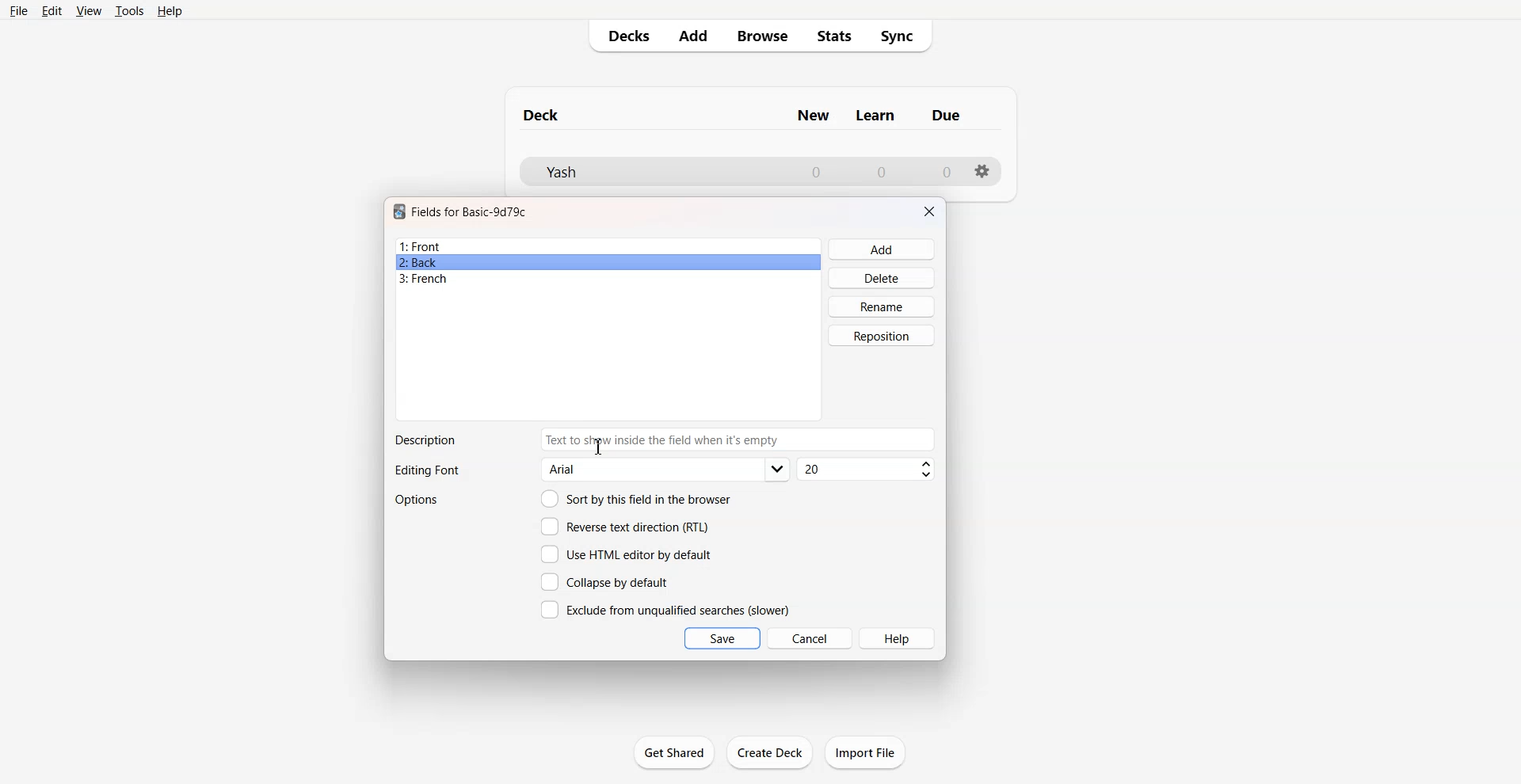  Describe the element at coordinates (835, 36) in the screenshot. I see `Stats` at that location.